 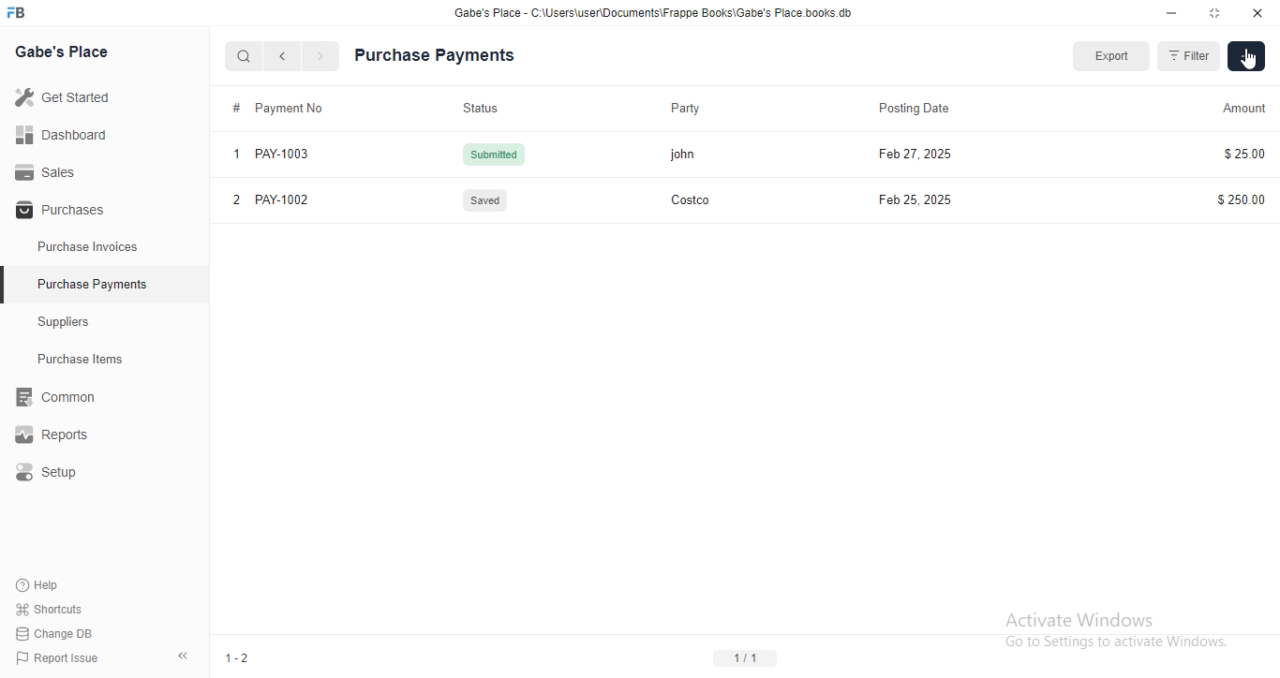 I want to click on Report Issue, so click(x=52, y=658).